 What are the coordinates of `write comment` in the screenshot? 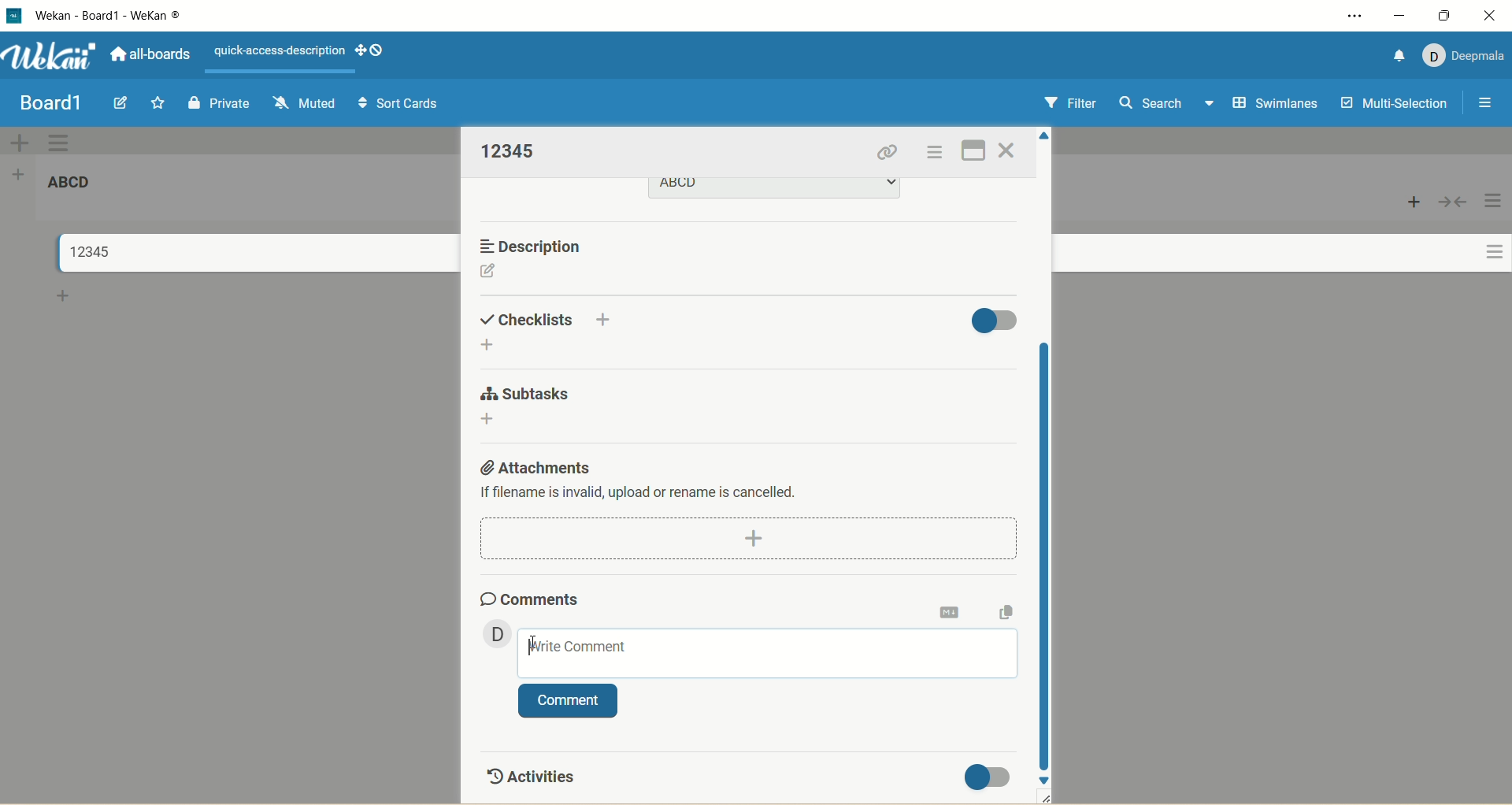 It's located at (764, 657).